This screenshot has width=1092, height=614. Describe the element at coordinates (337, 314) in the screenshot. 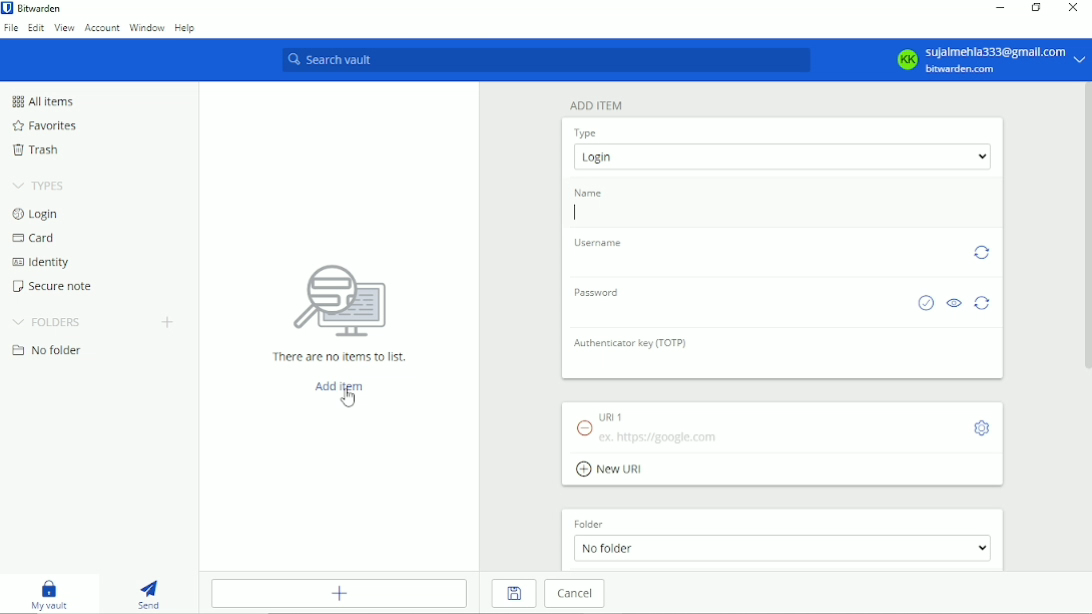

I see `There are no items to list` at that location.